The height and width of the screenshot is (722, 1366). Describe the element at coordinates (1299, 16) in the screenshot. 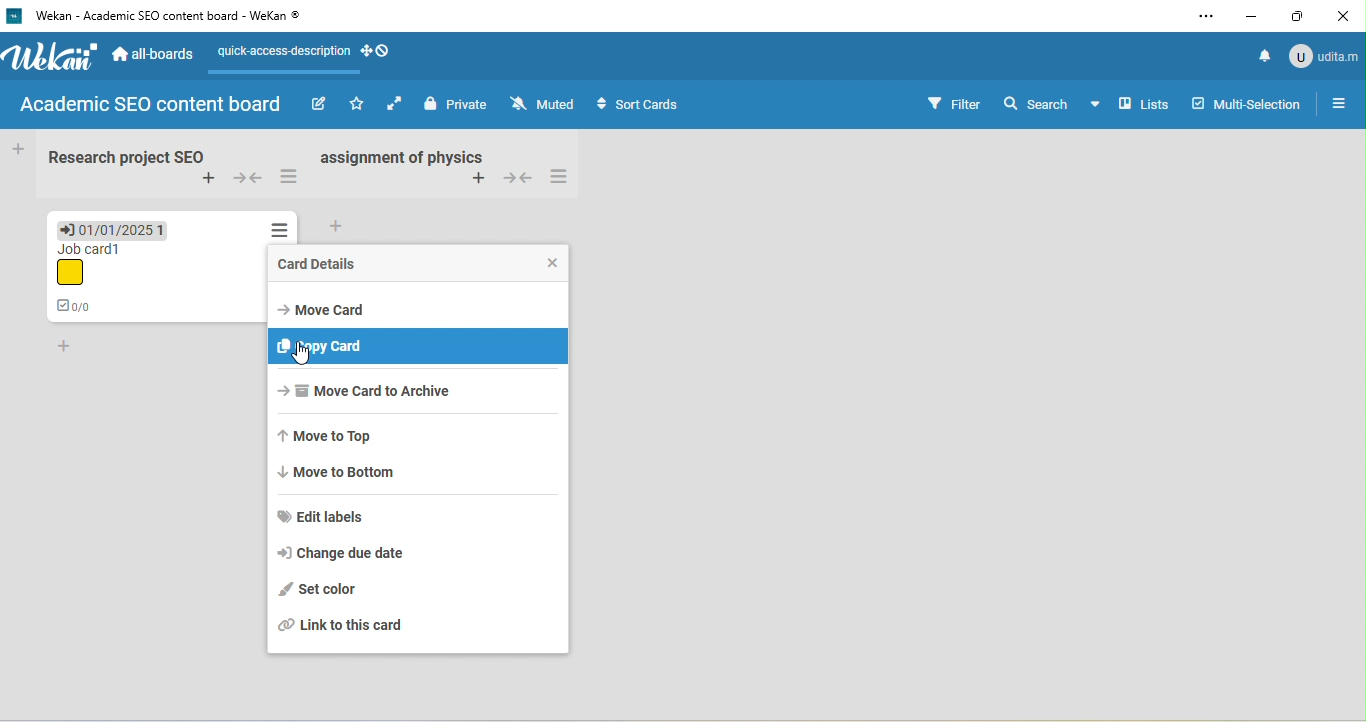

I see `maximize` at that location.